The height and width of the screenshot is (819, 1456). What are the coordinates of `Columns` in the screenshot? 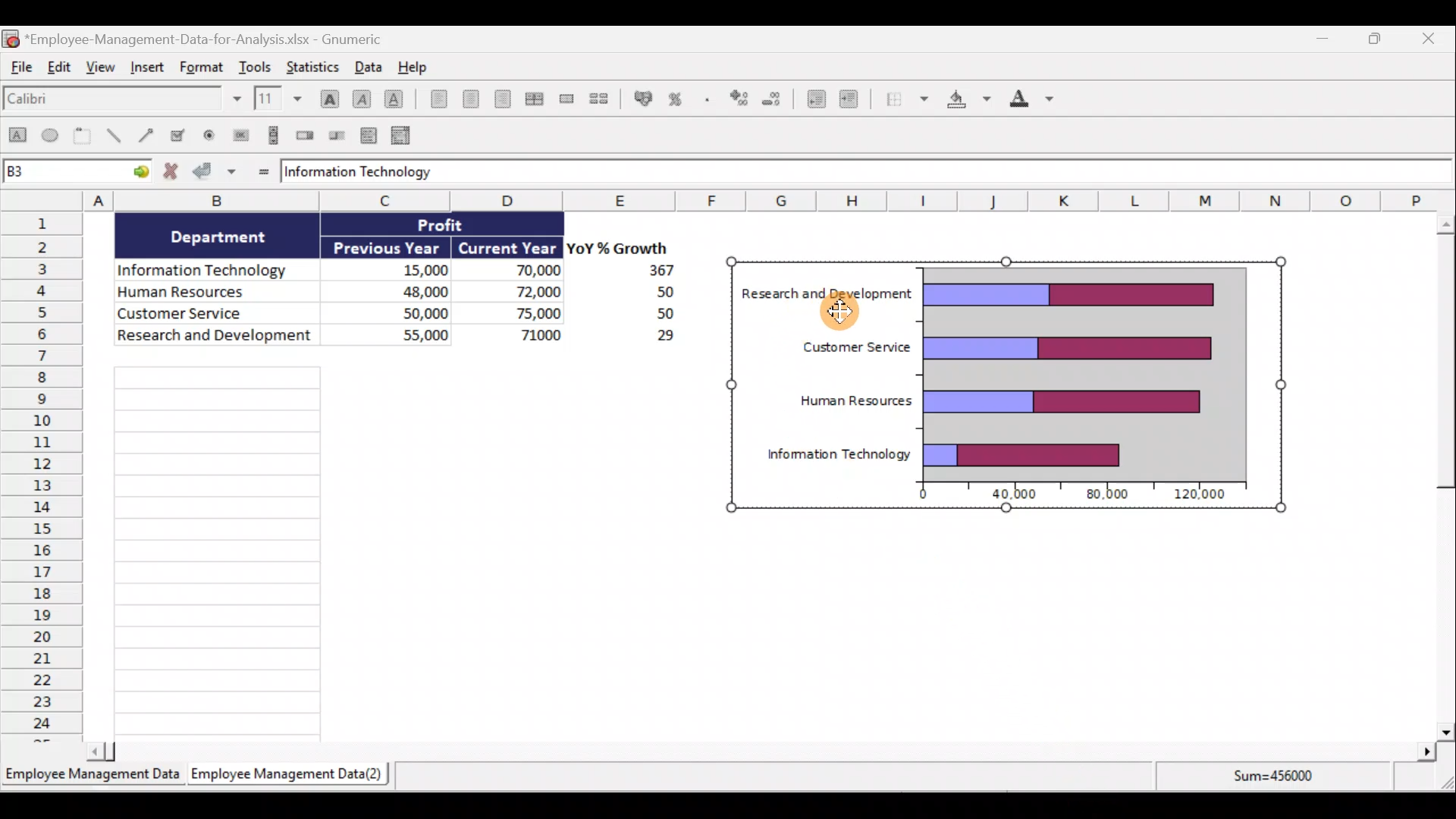 It's located at (770, 199).